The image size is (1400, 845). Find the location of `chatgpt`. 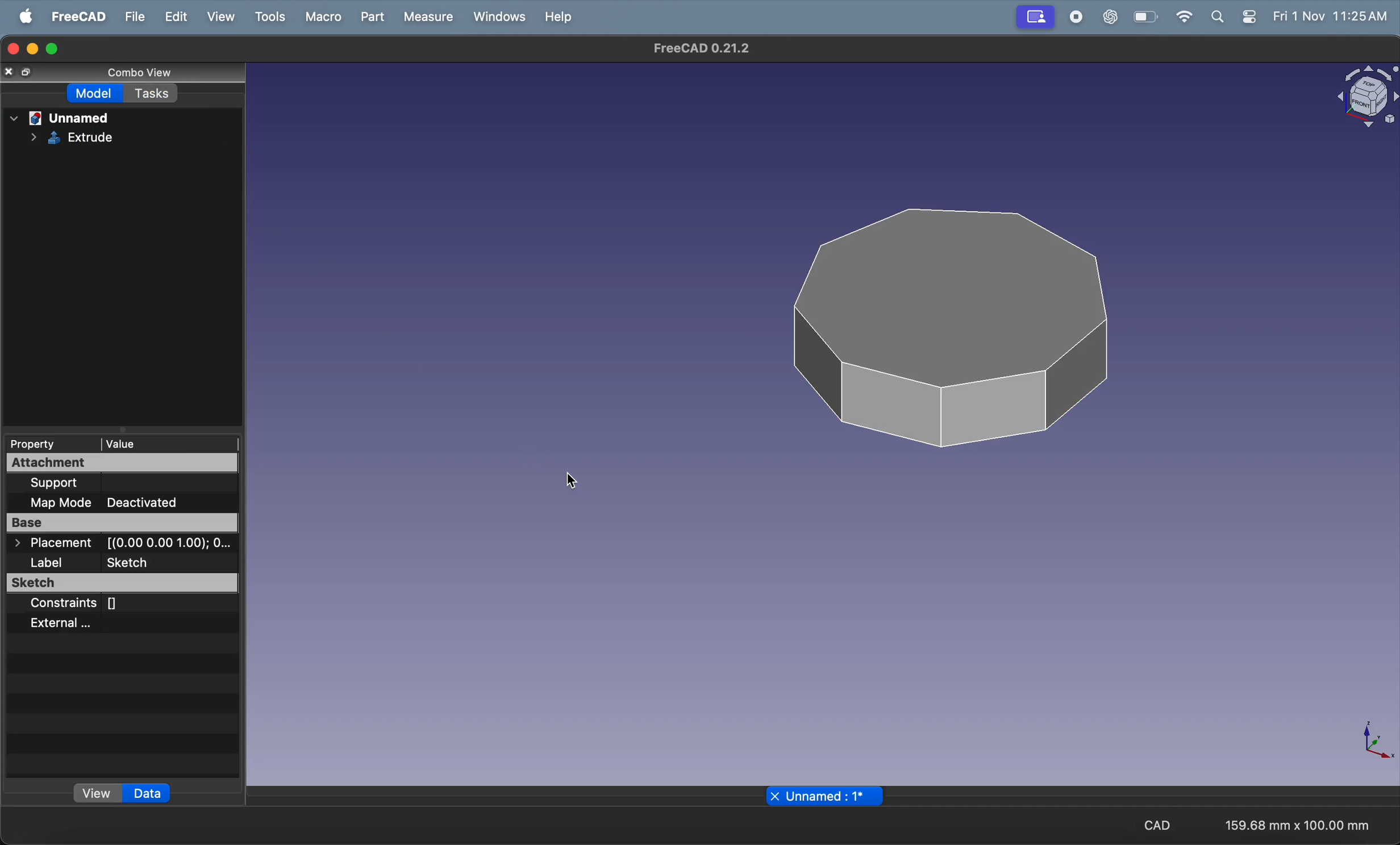

chatgpt is located at coordinates (1107, 17).